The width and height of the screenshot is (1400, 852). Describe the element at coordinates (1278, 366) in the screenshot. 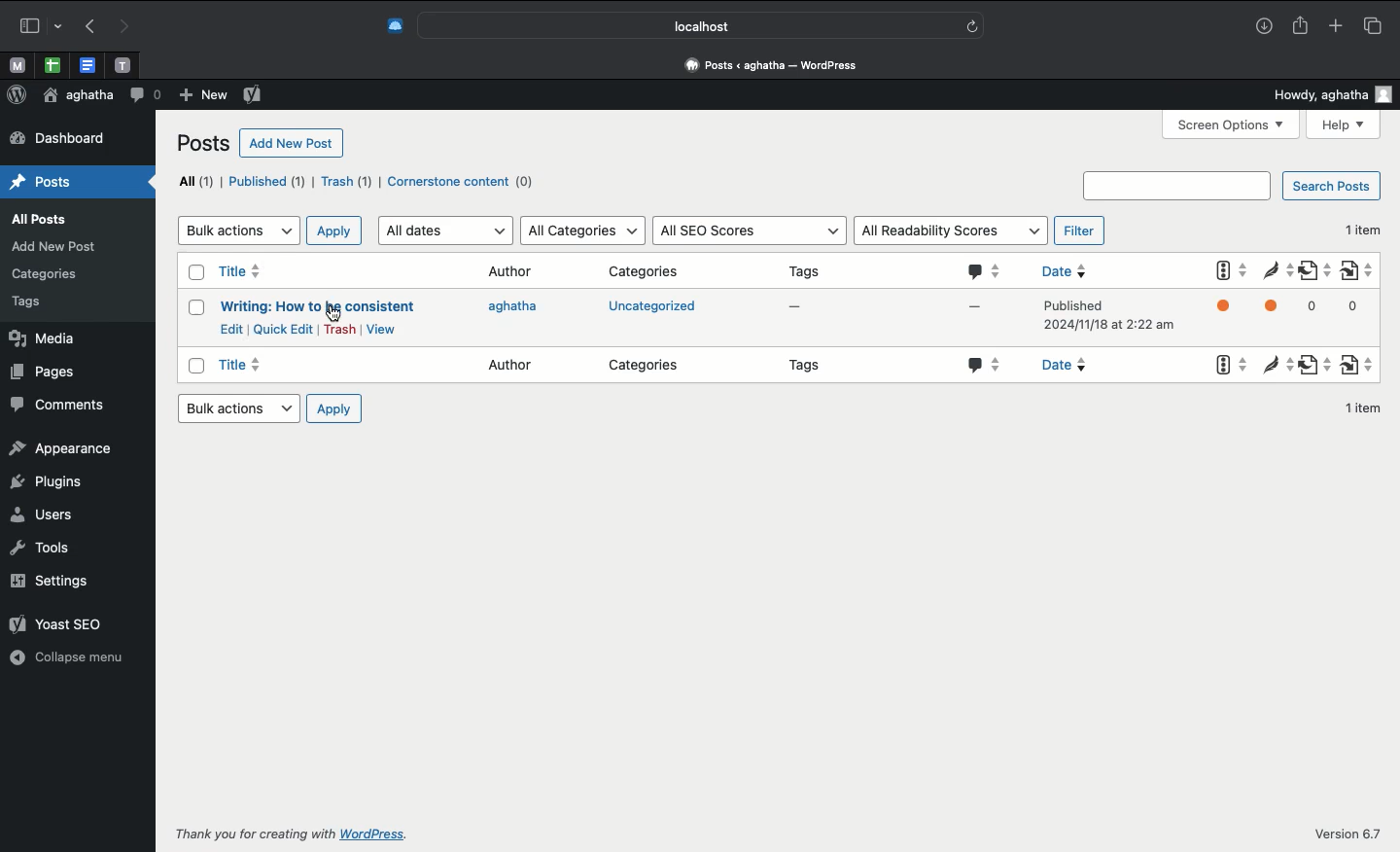

I see `Readability ` at that location.